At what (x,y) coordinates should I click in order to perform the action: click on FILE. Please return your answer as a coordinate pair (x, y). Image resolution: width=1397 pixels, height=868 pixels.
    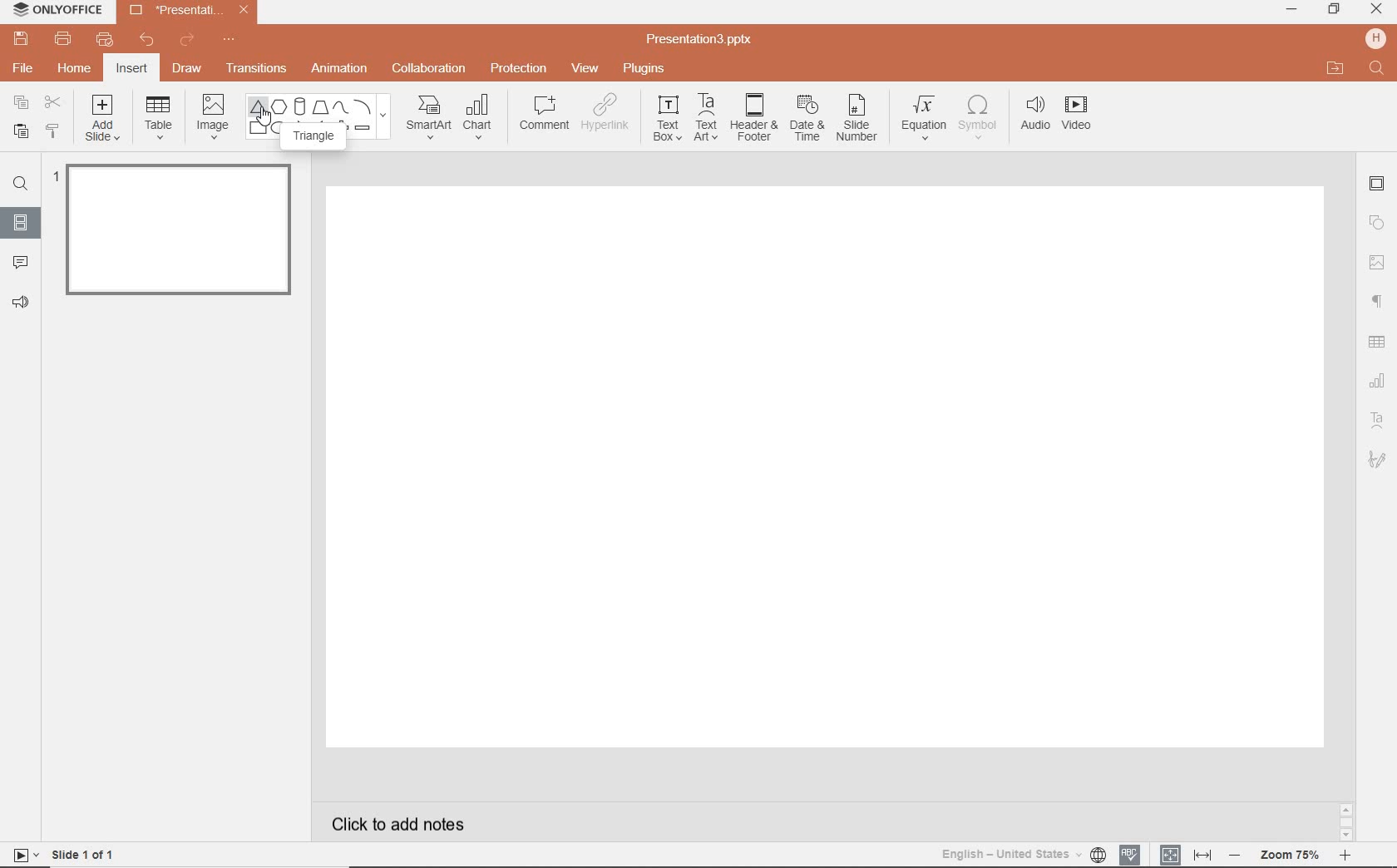
    Looking at the image, I should click on (25, 66).